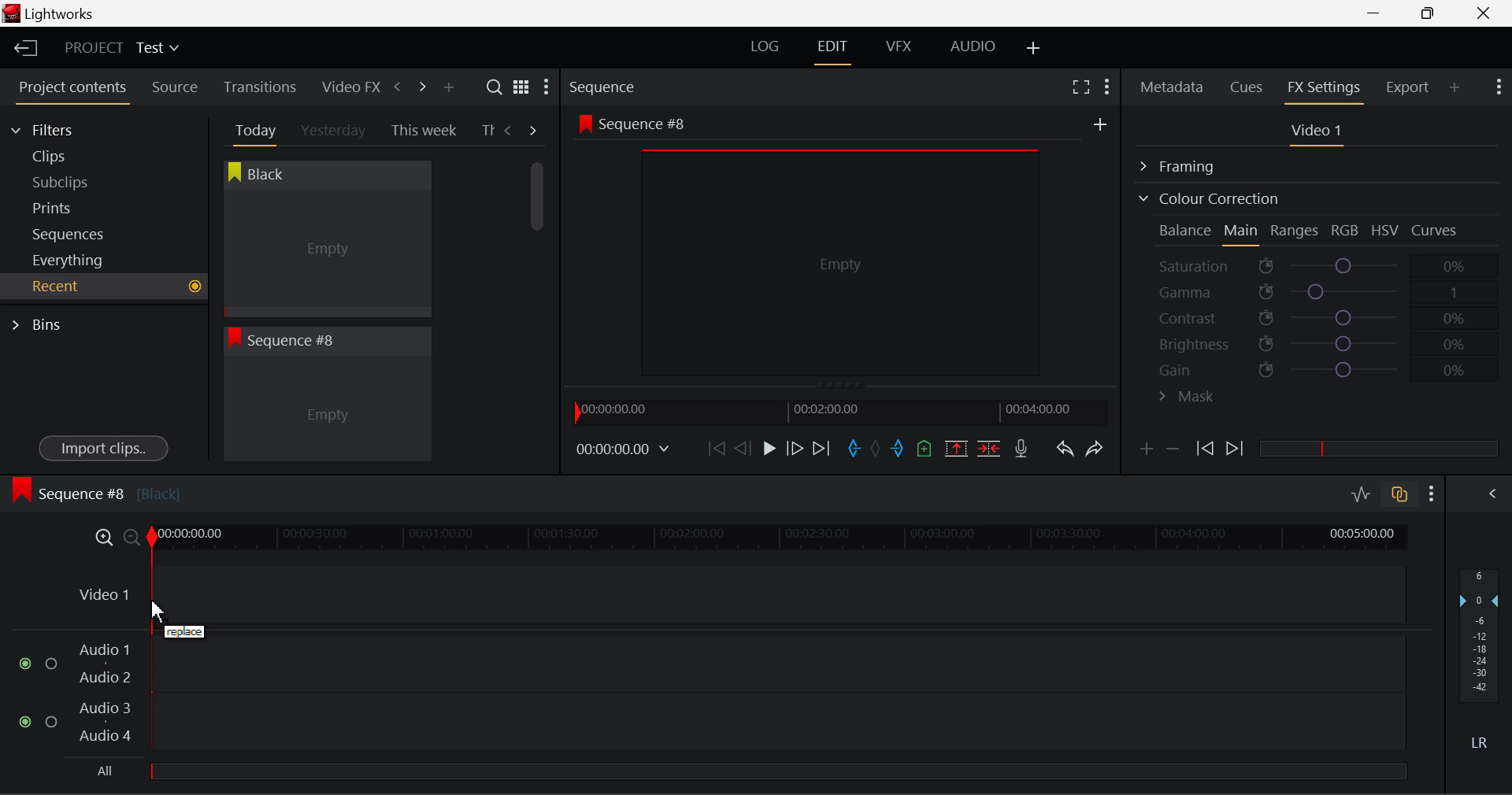 Image resolution: width=1512 pixels, height=795 pixels. What do you see at coordinates (1455, 87) in the screenshot?
I see `Add Panel` at bounding box center [1455, 87].